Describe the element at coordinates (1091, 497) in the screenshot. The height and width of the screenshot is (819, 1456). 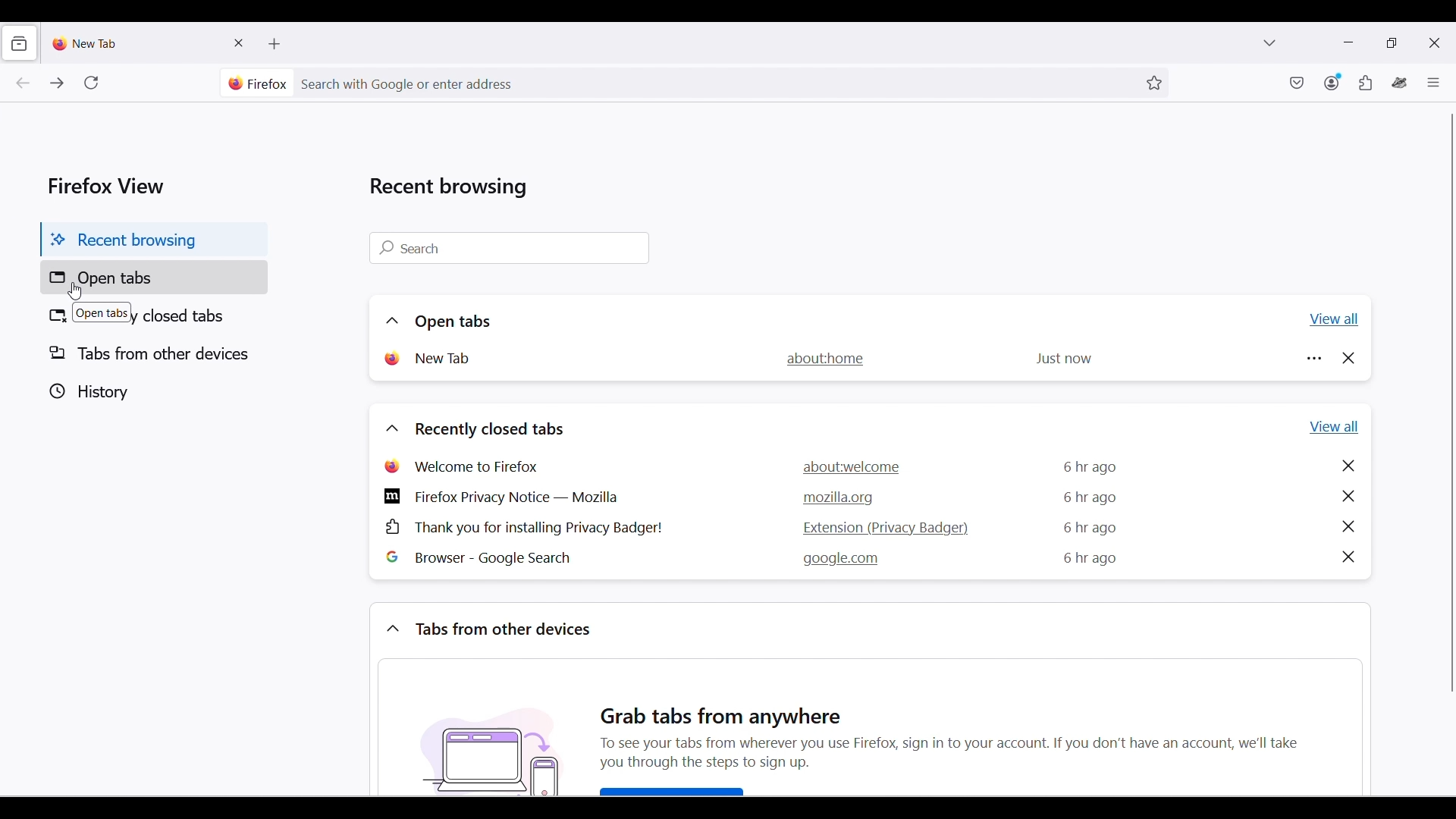
I see `6 hr ago` at that location.